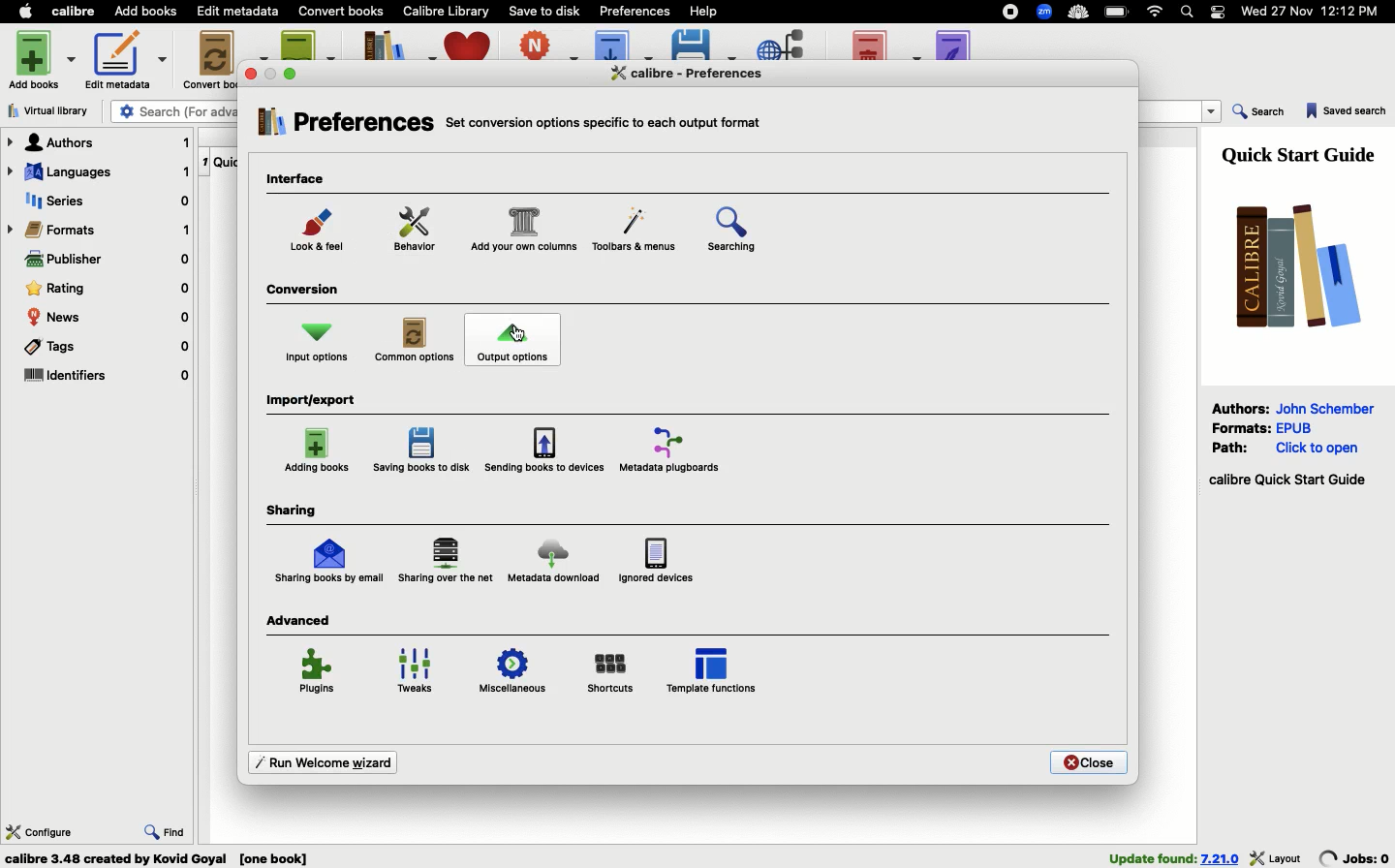 The image size is (1395, 868). Describe the element at coordinates (744, 233) in the screenshot. I see `Searching` at that location.